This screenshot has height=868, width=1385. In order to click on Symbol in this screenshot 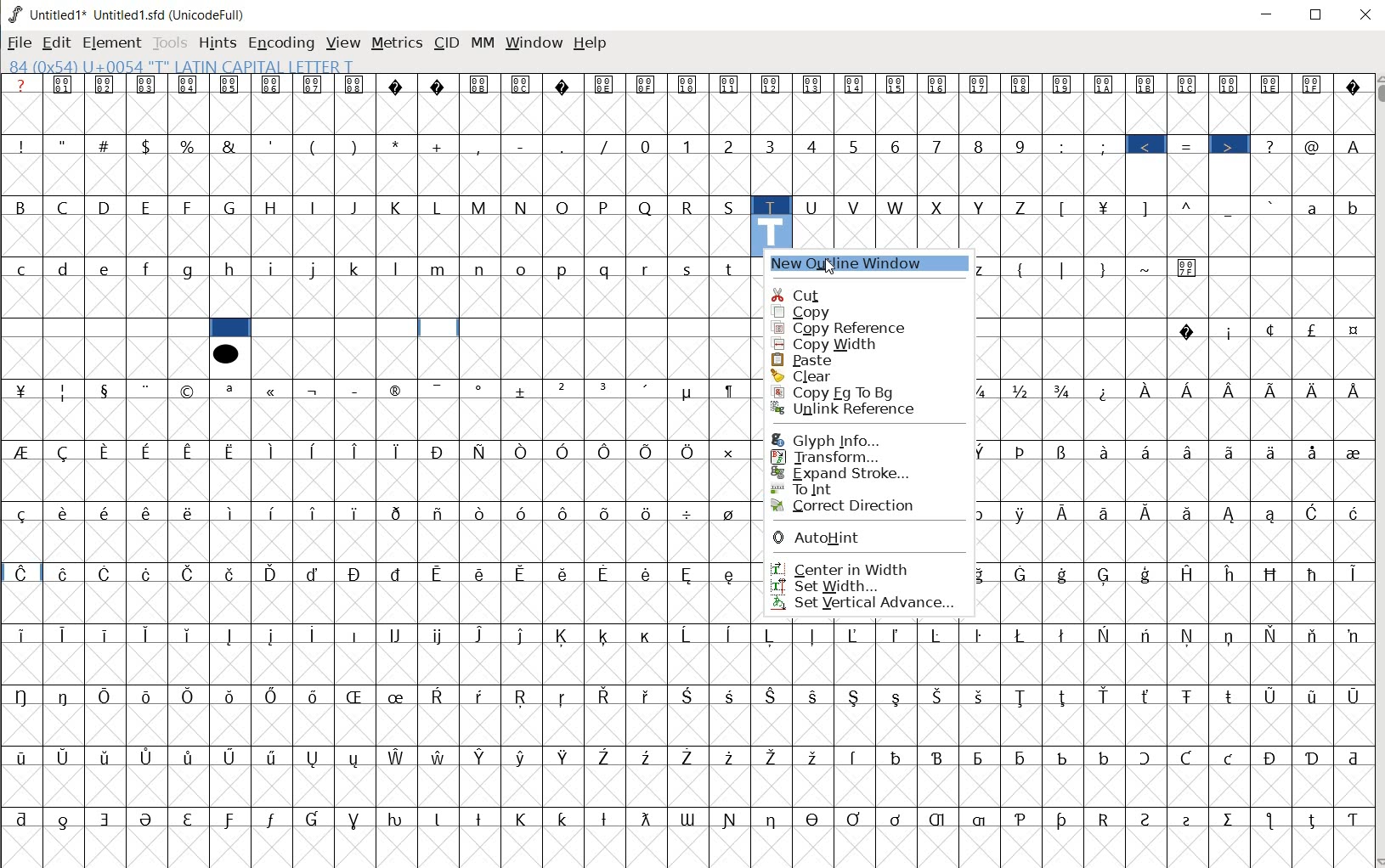, I will do `click(1105, 634)`.